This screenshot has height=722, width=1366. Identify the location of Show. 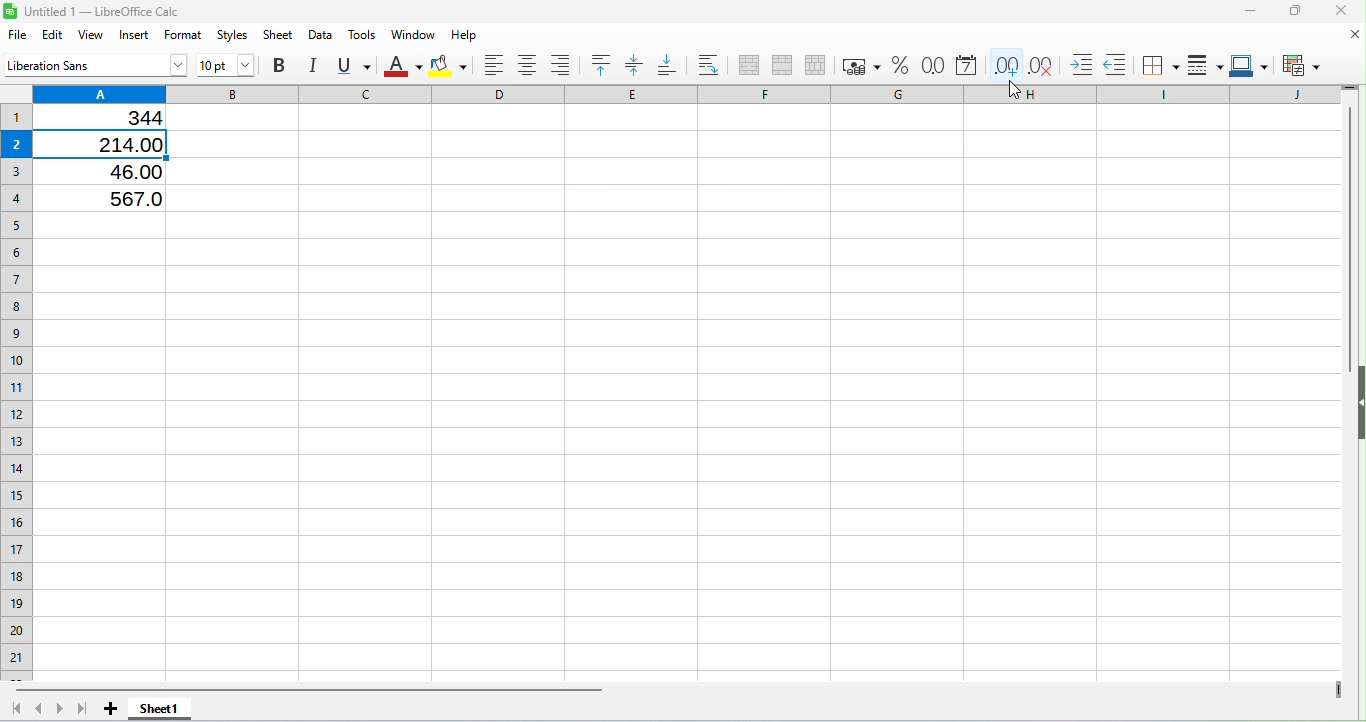
(1358, 408).